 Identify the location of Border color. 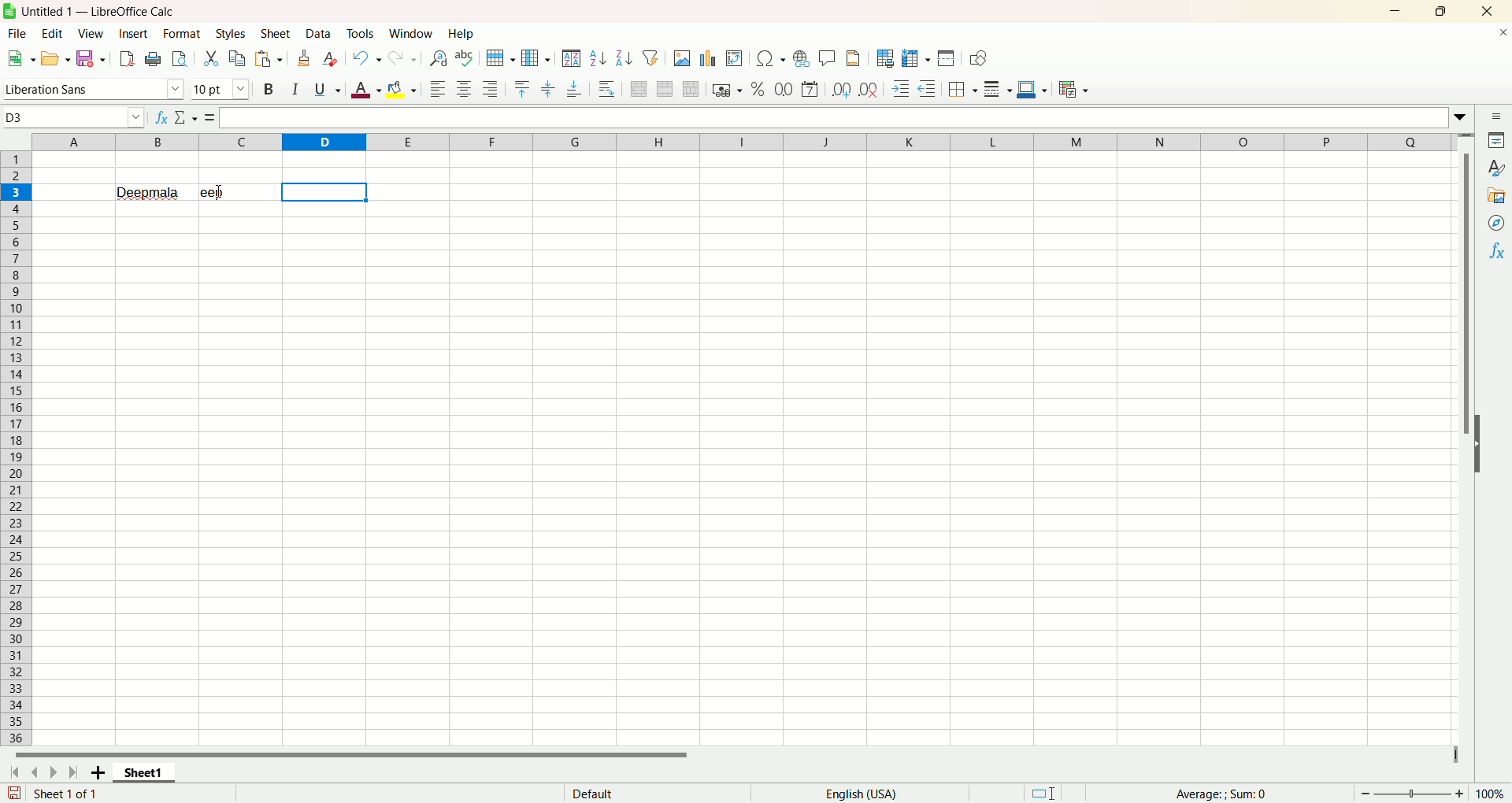
(1032, 89).